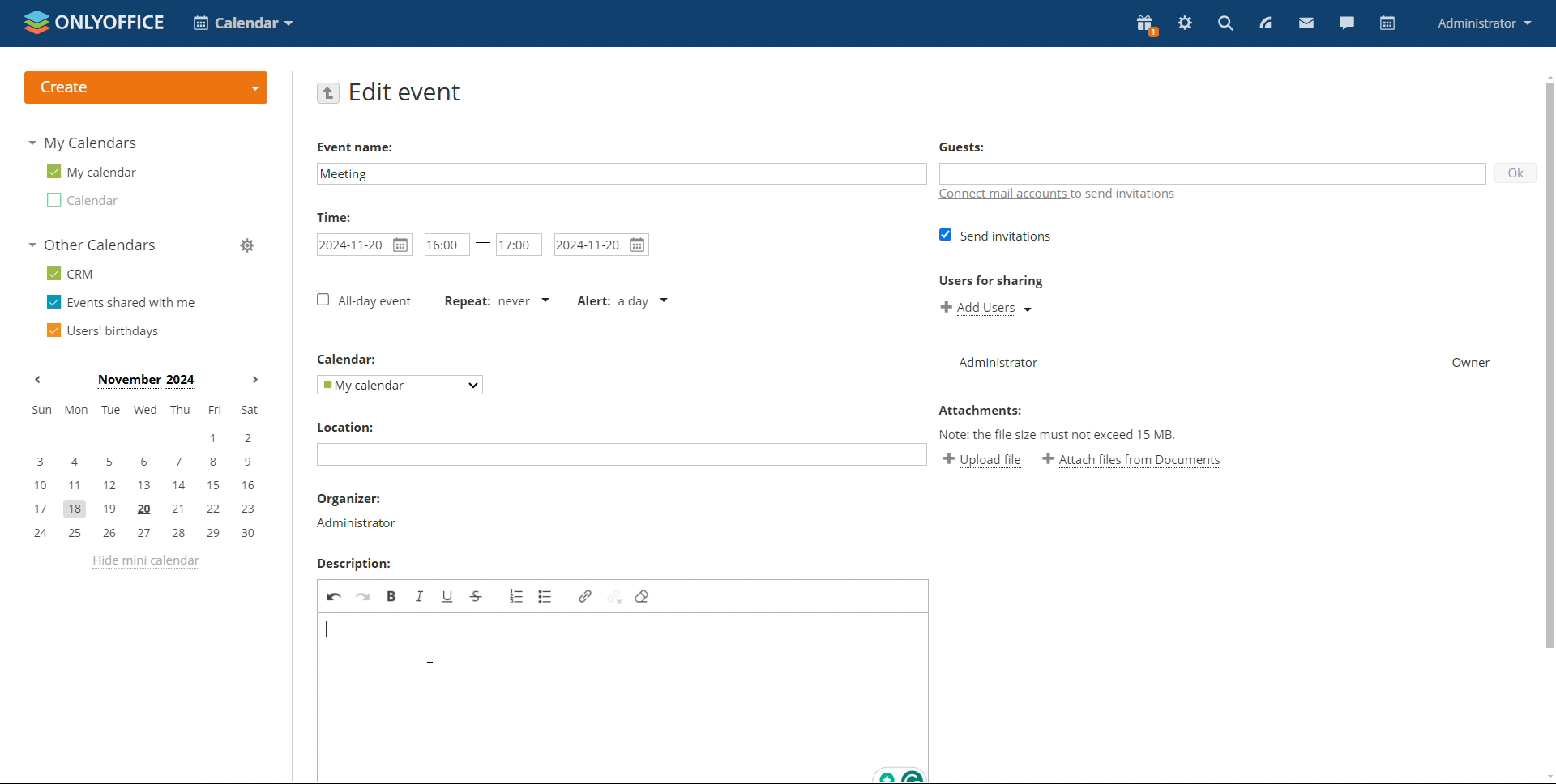 This screenshot has width=1556, height=784. What do you see at coordinates (91, 170) in the screenshot?
I see `my calendar` at bounding box center [91, 170].